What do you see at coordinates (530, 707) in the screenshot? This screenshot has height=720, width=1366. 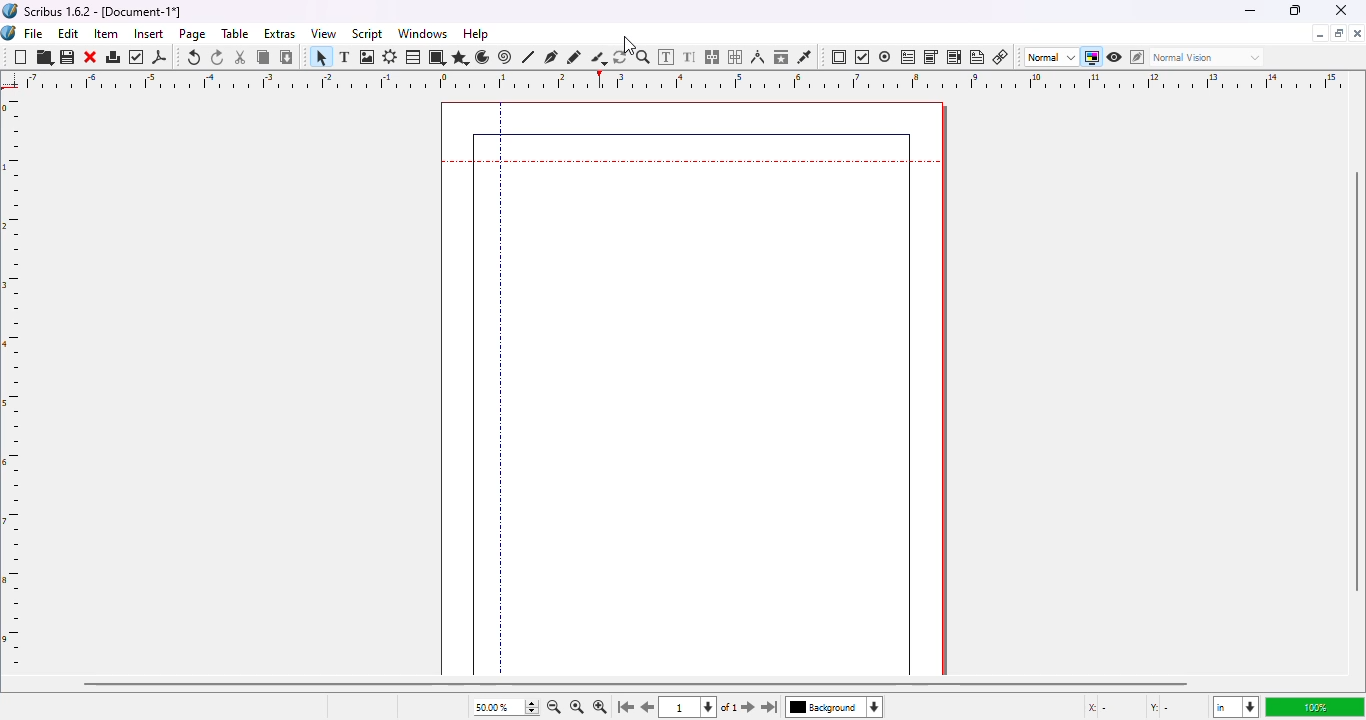 I see `zoom in and out` at bounding box center [530, 707].